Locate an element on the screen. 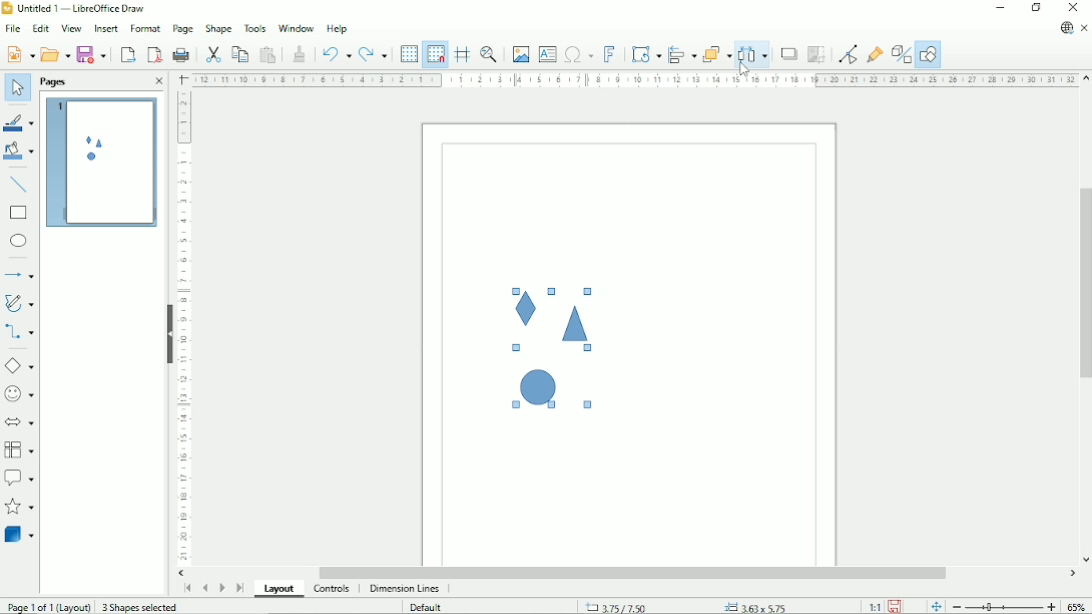 This screenshot has height=614, width=1092. Undo is located at coordinates (336, 52).